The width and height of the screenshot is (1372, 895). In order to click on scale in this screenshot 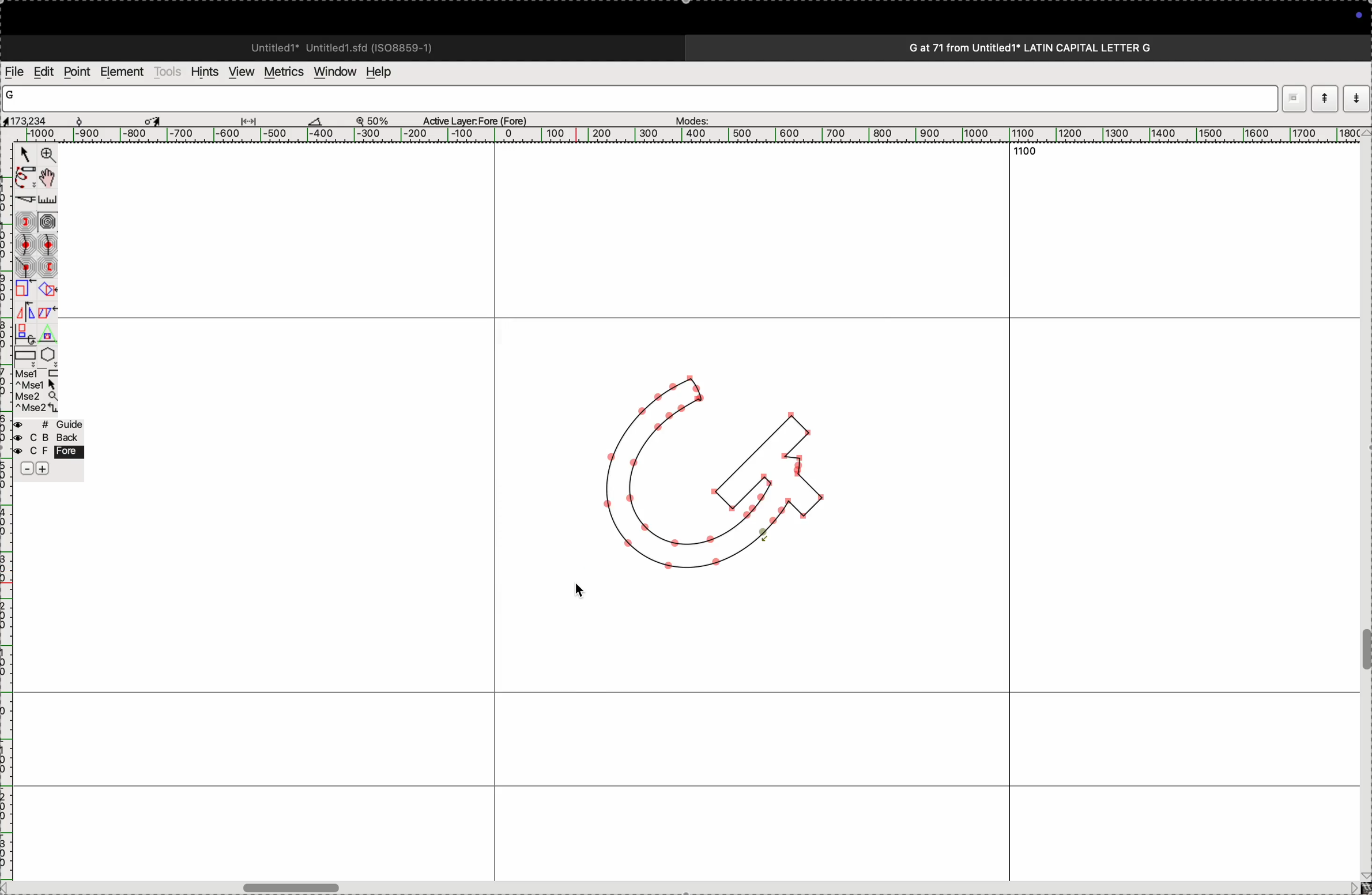, I will do `click(25, 289)`.